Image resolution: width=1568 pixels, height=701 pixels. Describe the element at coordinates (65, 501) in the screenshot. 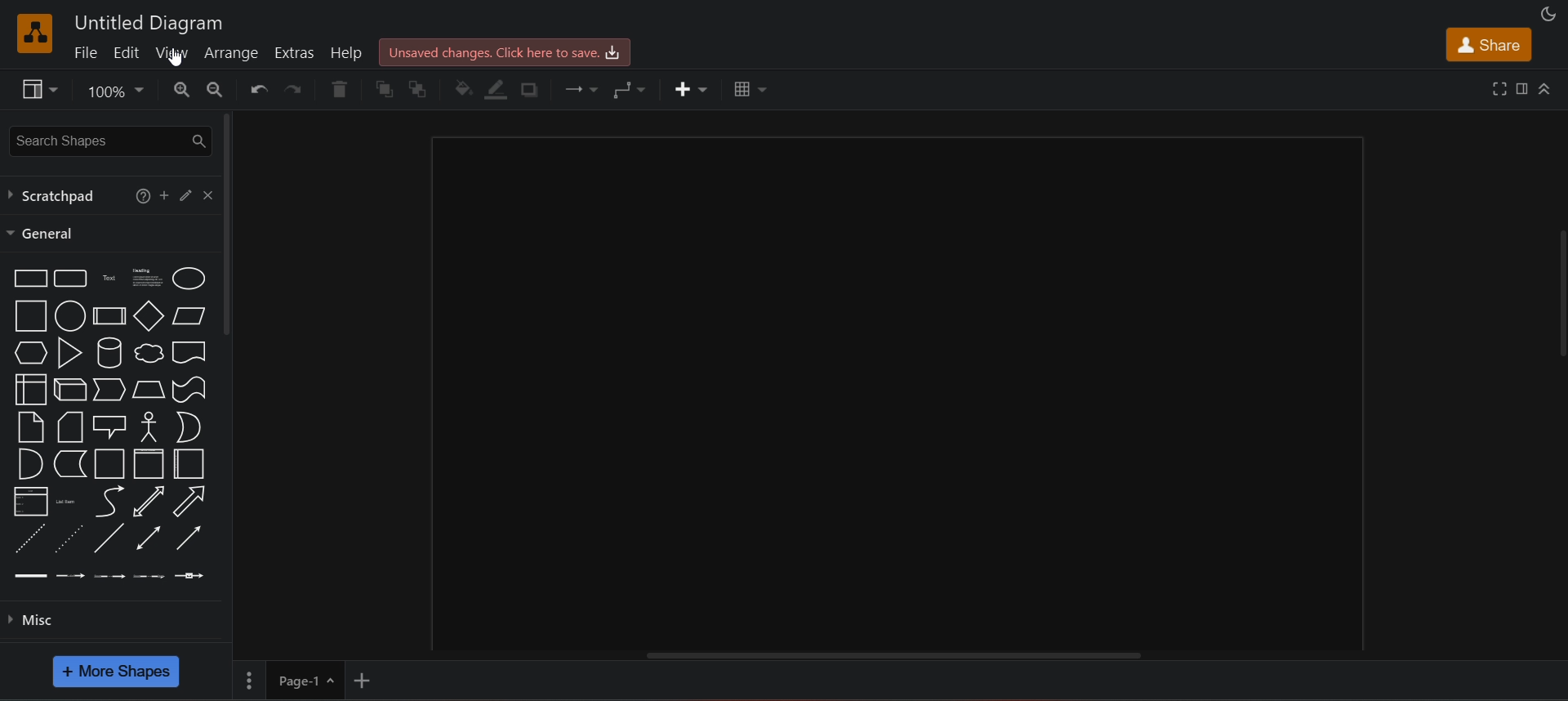

I see `list item` at that location.